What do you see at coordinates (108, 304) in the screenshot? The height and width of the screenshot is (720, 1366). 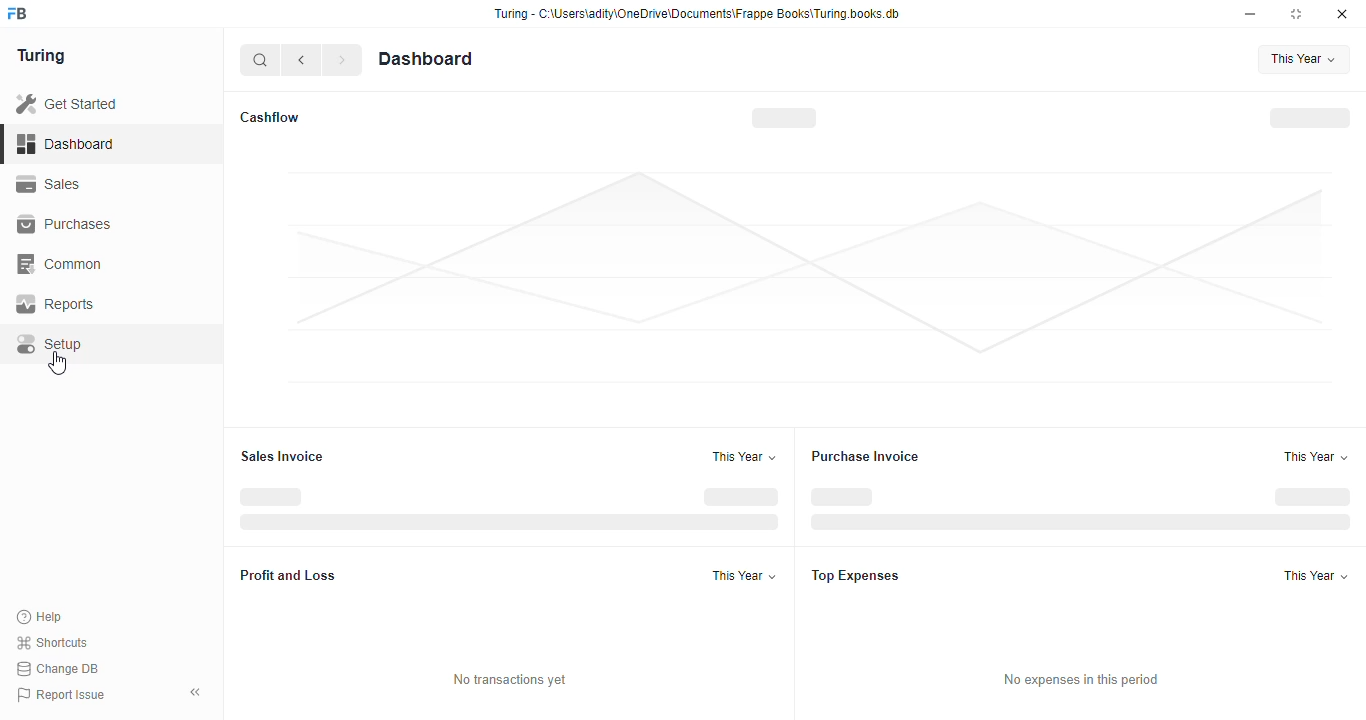 I see `Reports.` at bounding box center [108, 304].